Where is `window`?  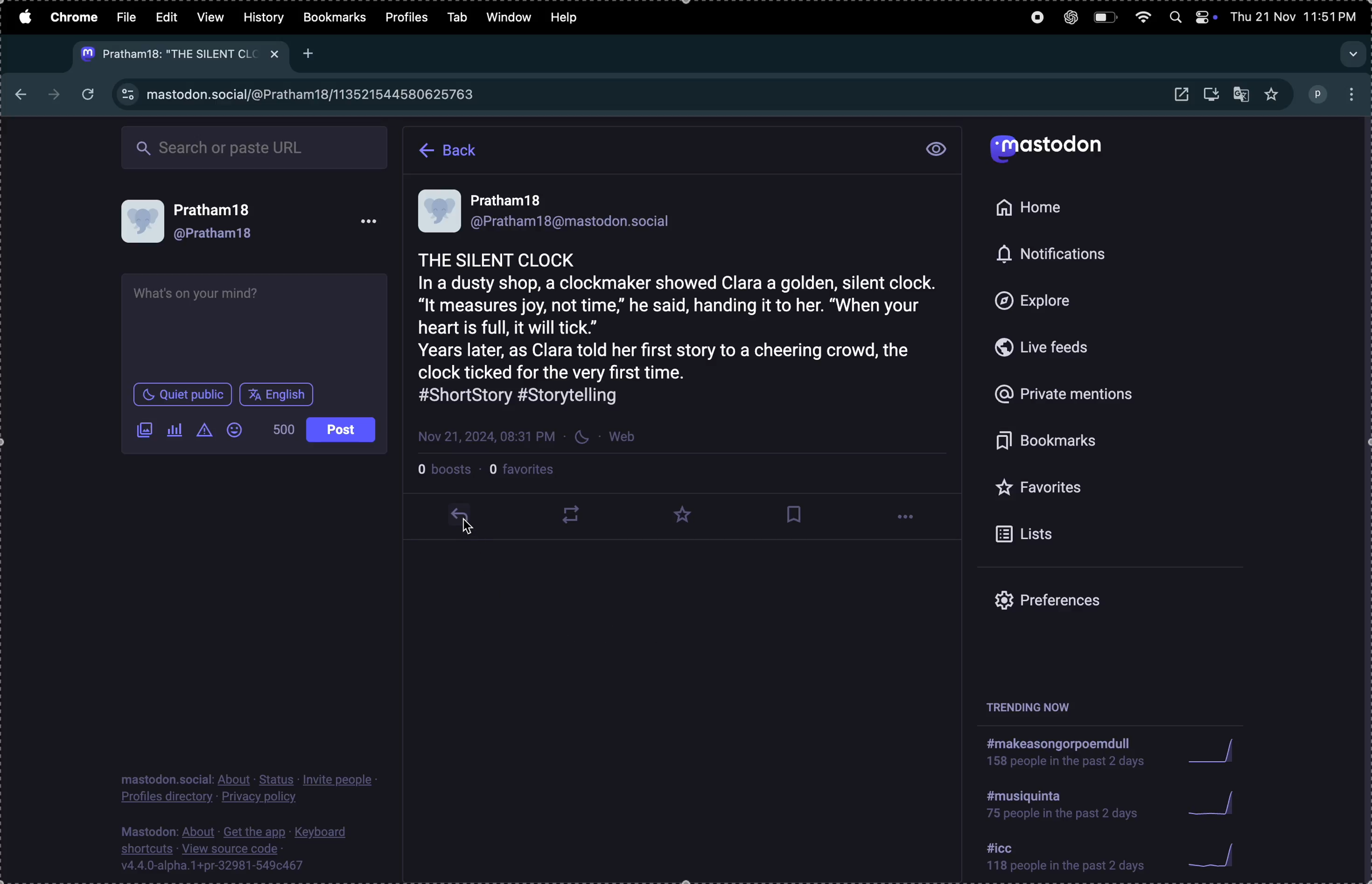
window is located at coordinates (510, 17).